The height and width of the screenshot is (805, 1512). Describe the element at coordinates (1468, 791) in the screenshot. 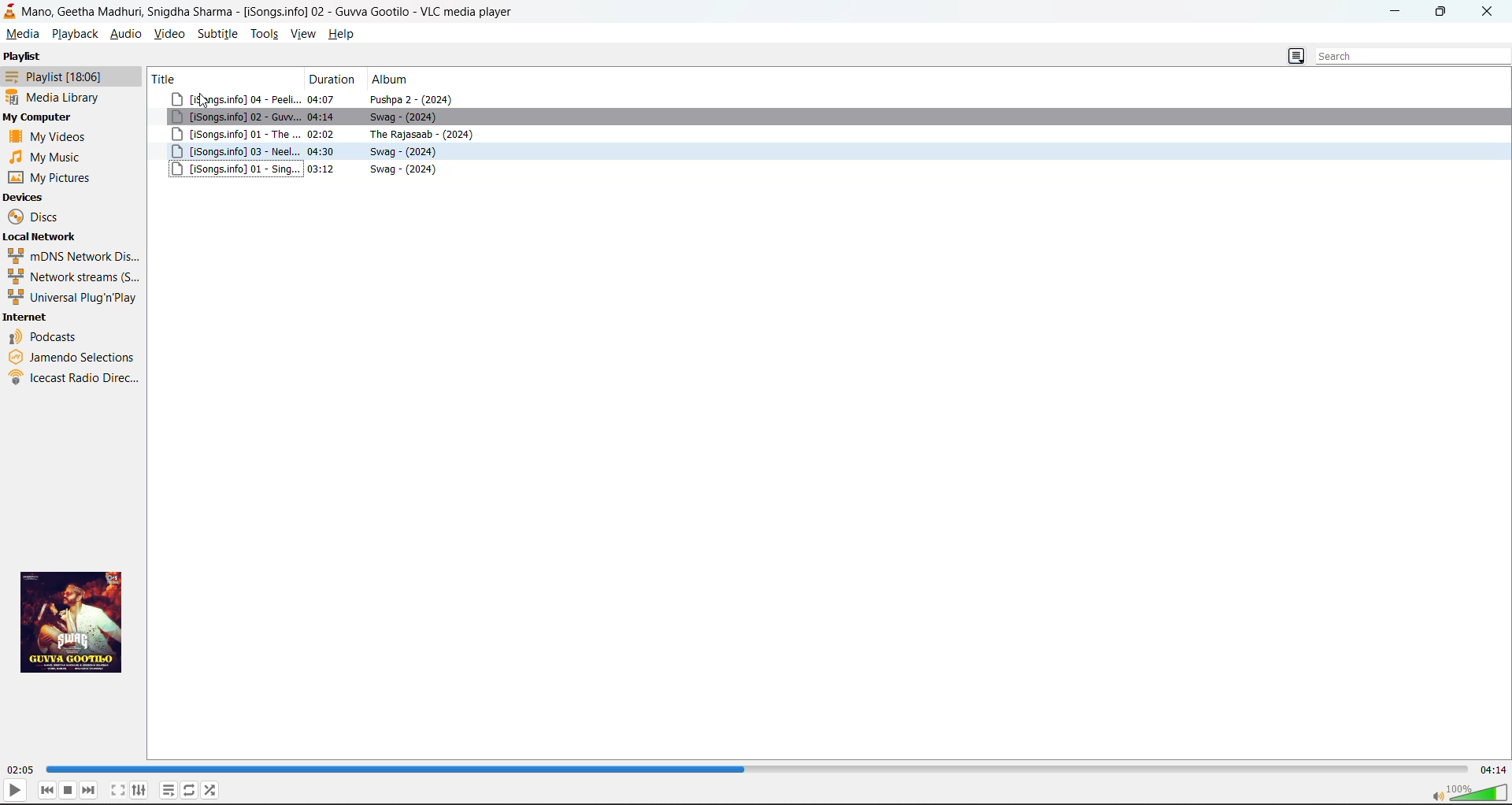

I see `volume` at that location.